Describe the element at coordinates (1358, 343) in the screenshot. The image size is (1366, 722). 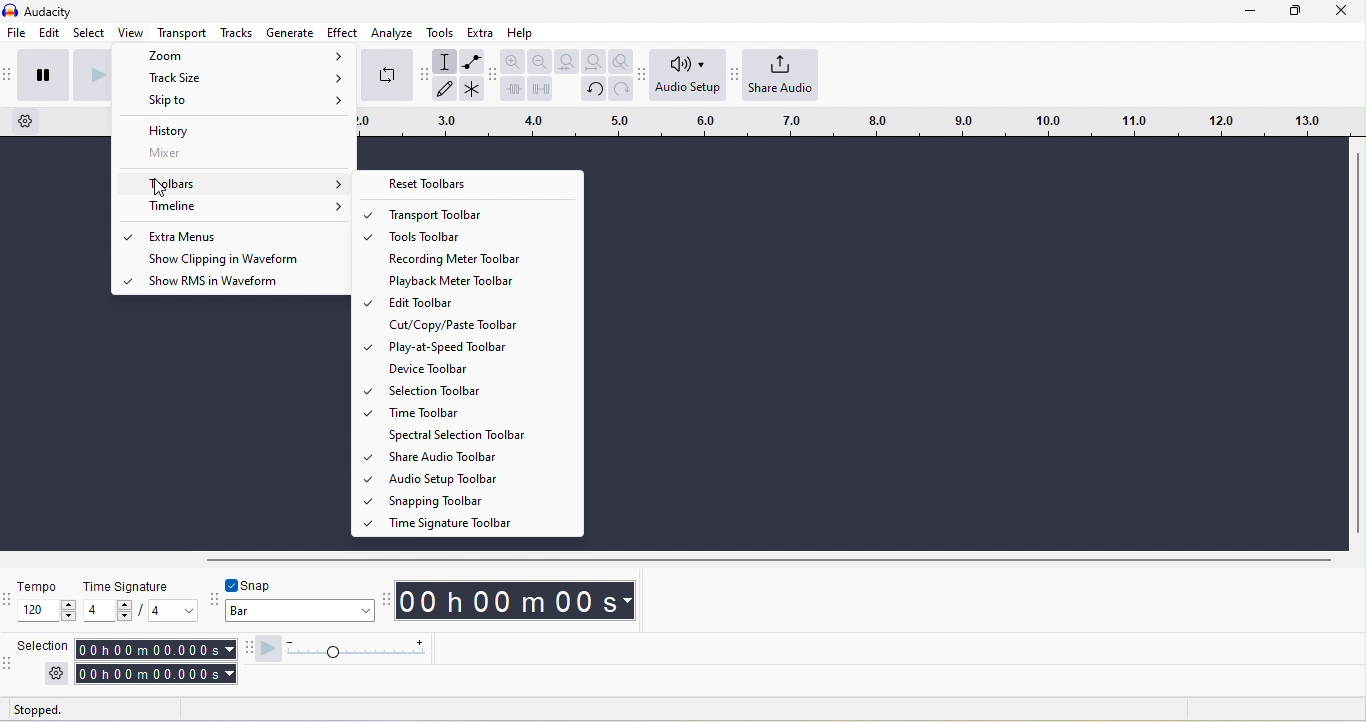
I see `vertical toolbar` at that location.